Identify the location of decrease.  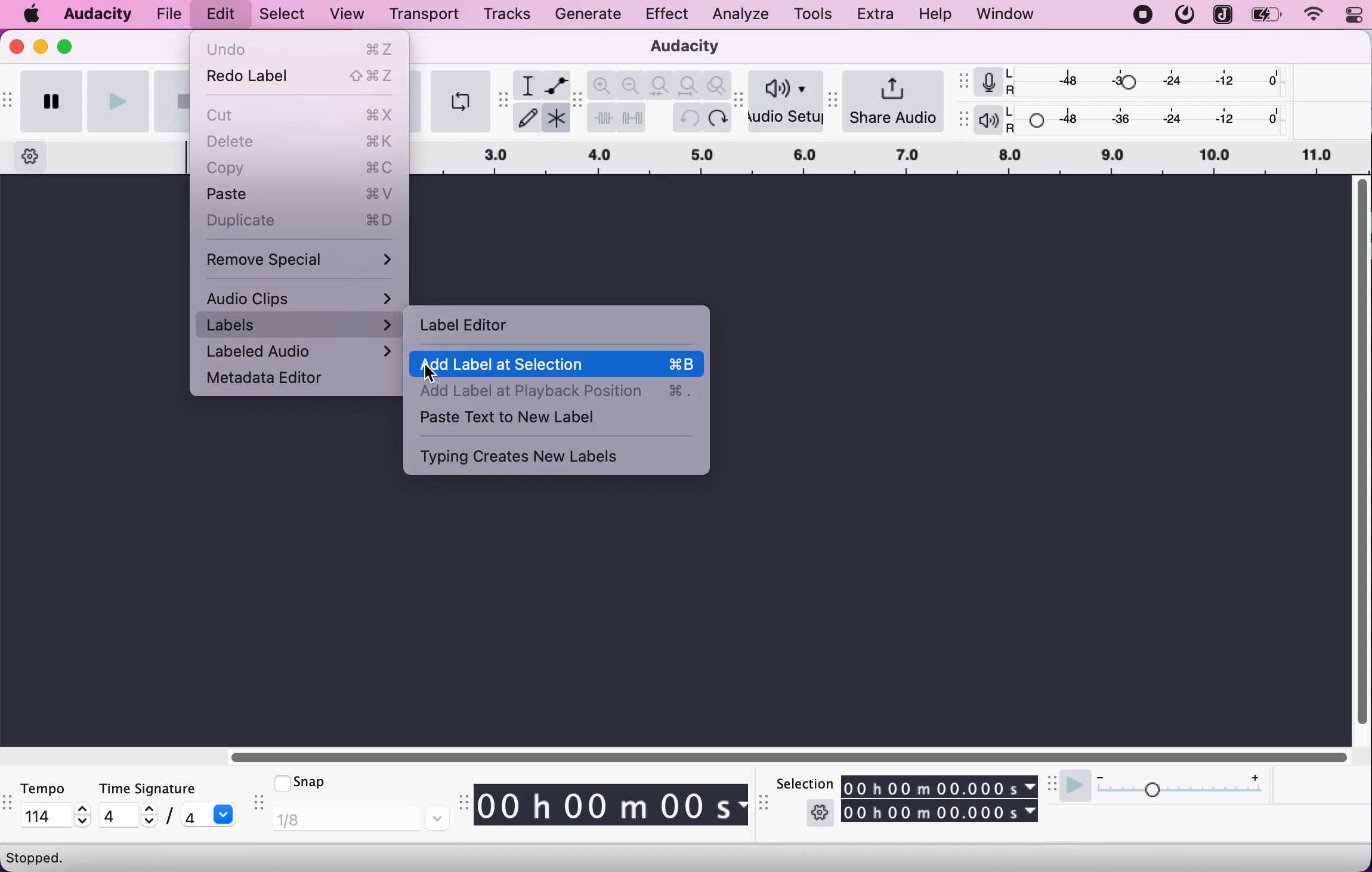
(83, 822).